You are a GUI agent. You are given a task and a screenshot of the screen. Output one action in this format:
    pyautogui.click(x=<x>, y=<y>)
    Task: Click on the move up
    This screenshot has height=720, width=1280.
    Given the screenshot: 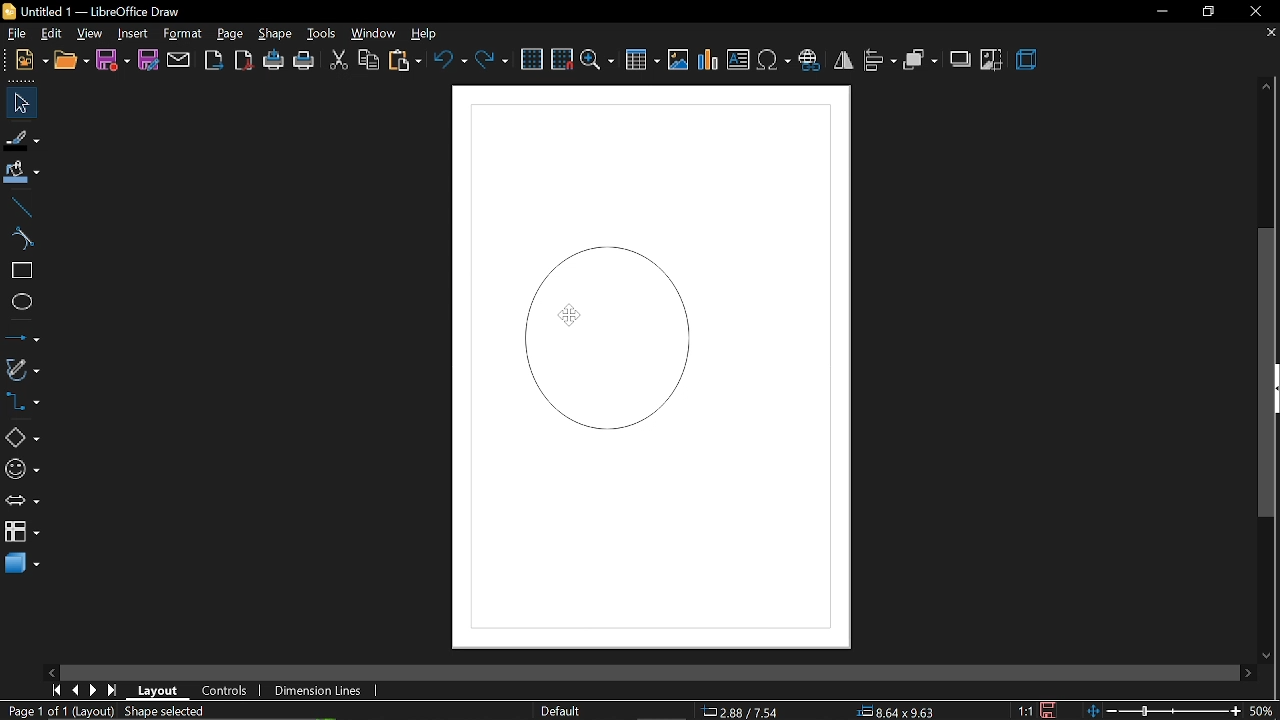 What is the action you would take?
    pyautogui.click(x=1265, y=86)
    